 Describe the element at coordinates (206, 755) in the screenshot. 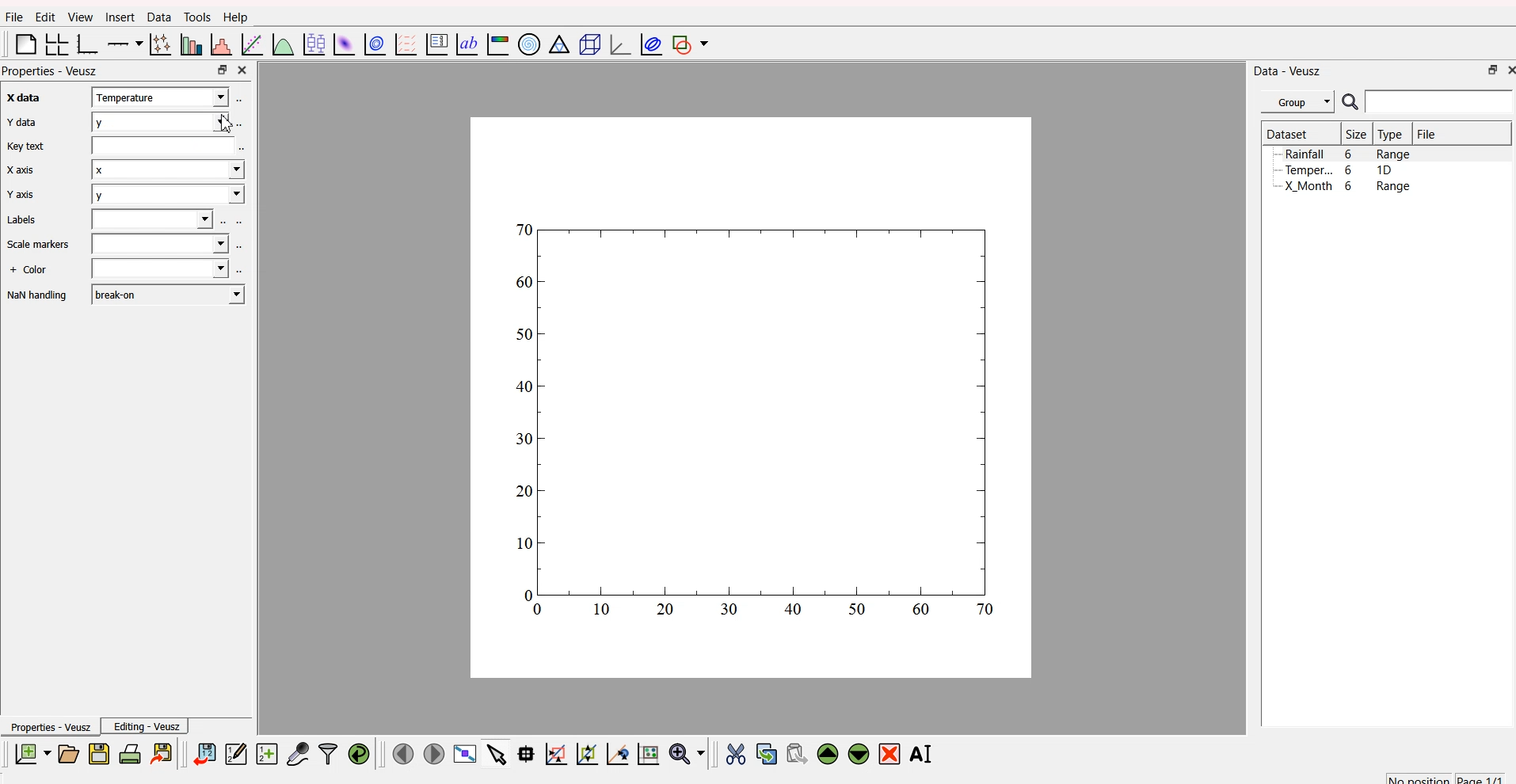

I see `import data` at that location.